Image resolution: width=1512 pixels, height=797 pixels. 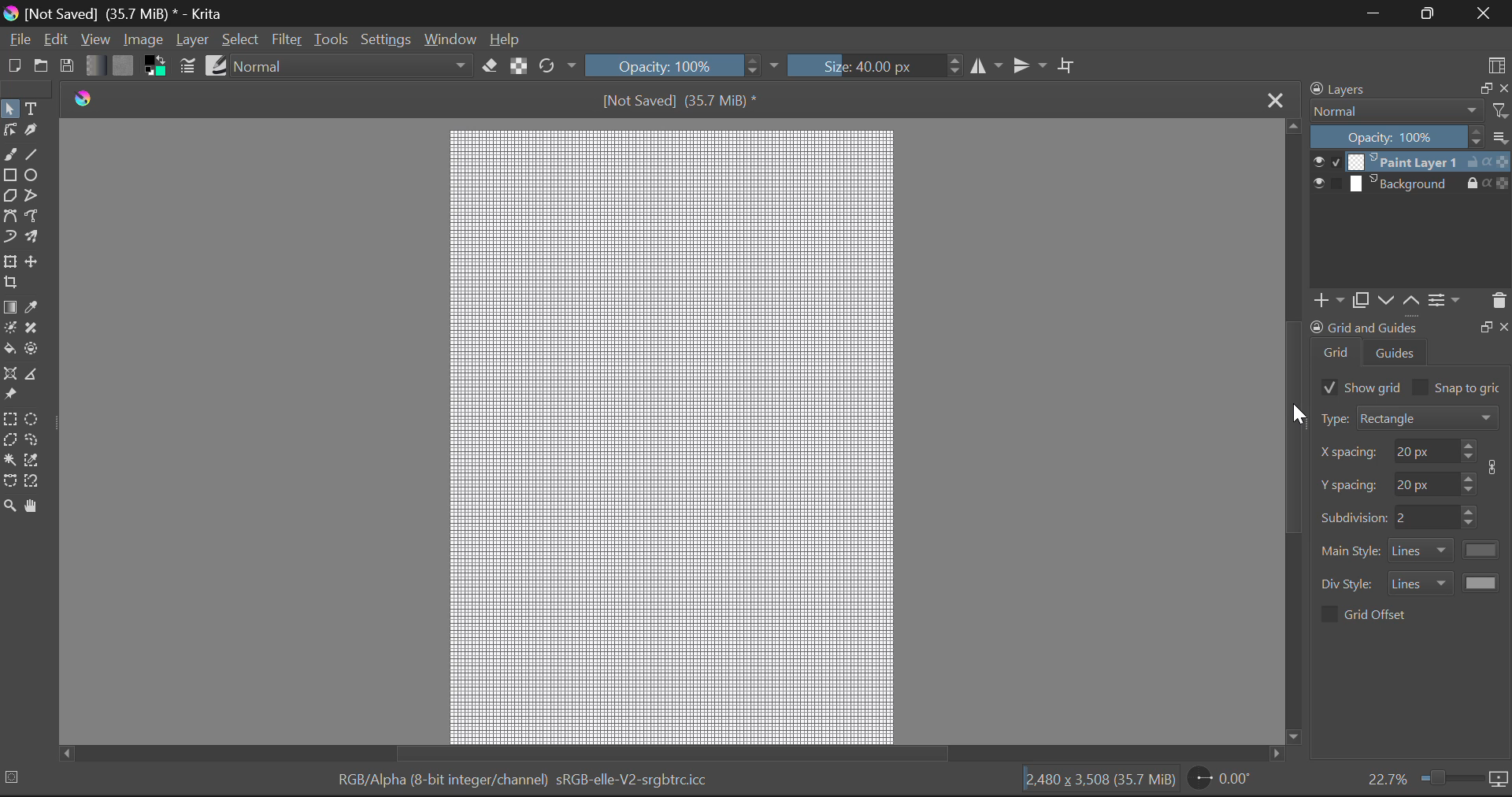 What do you see at coordinates (1469, 389) in the screenshot?
I see `snap to grid` at bounding box center [1469, 389].